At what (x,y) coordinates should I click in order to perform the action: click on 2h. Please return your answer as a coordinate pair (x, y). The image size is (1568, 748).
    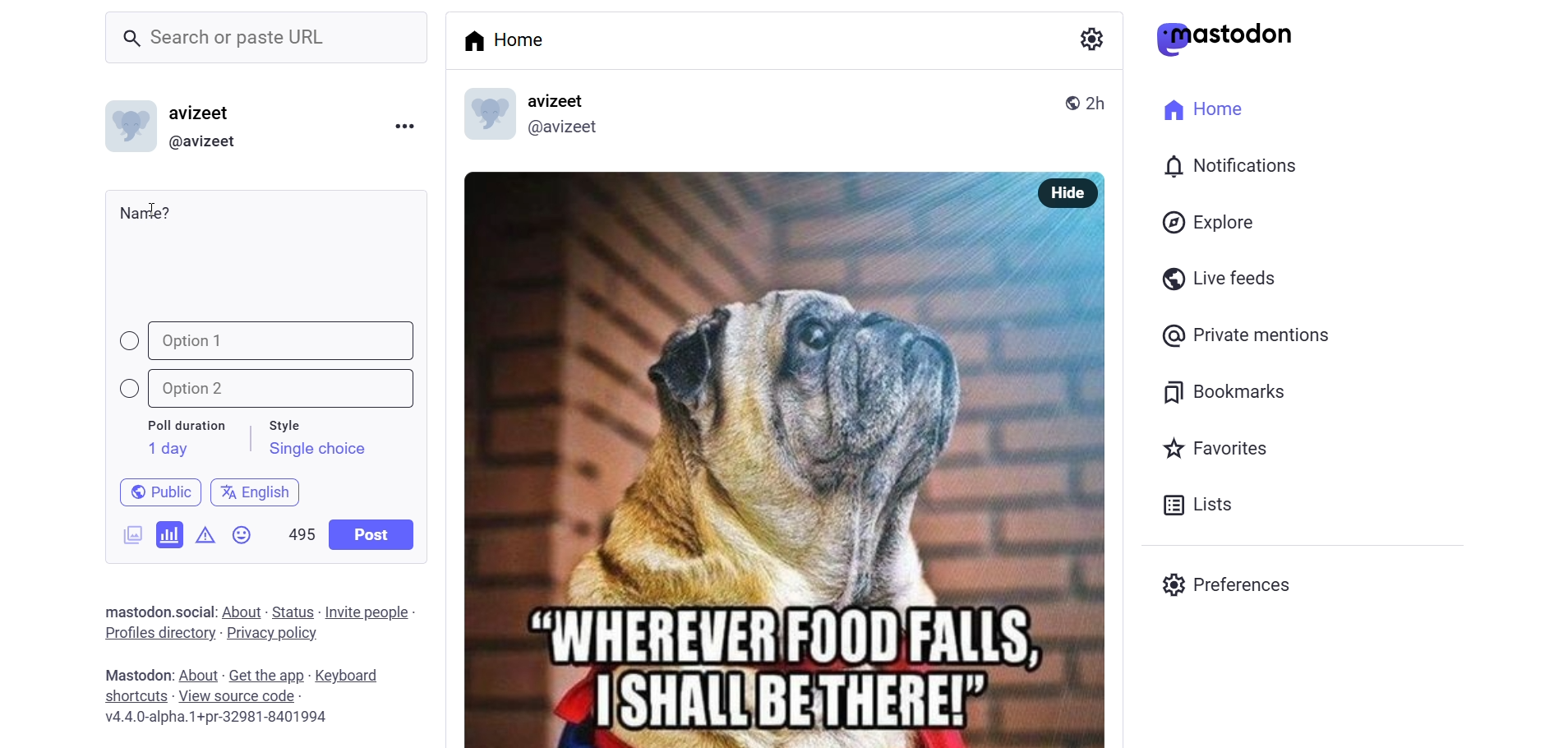
    Looking at the image, I should click on (1102, 95).